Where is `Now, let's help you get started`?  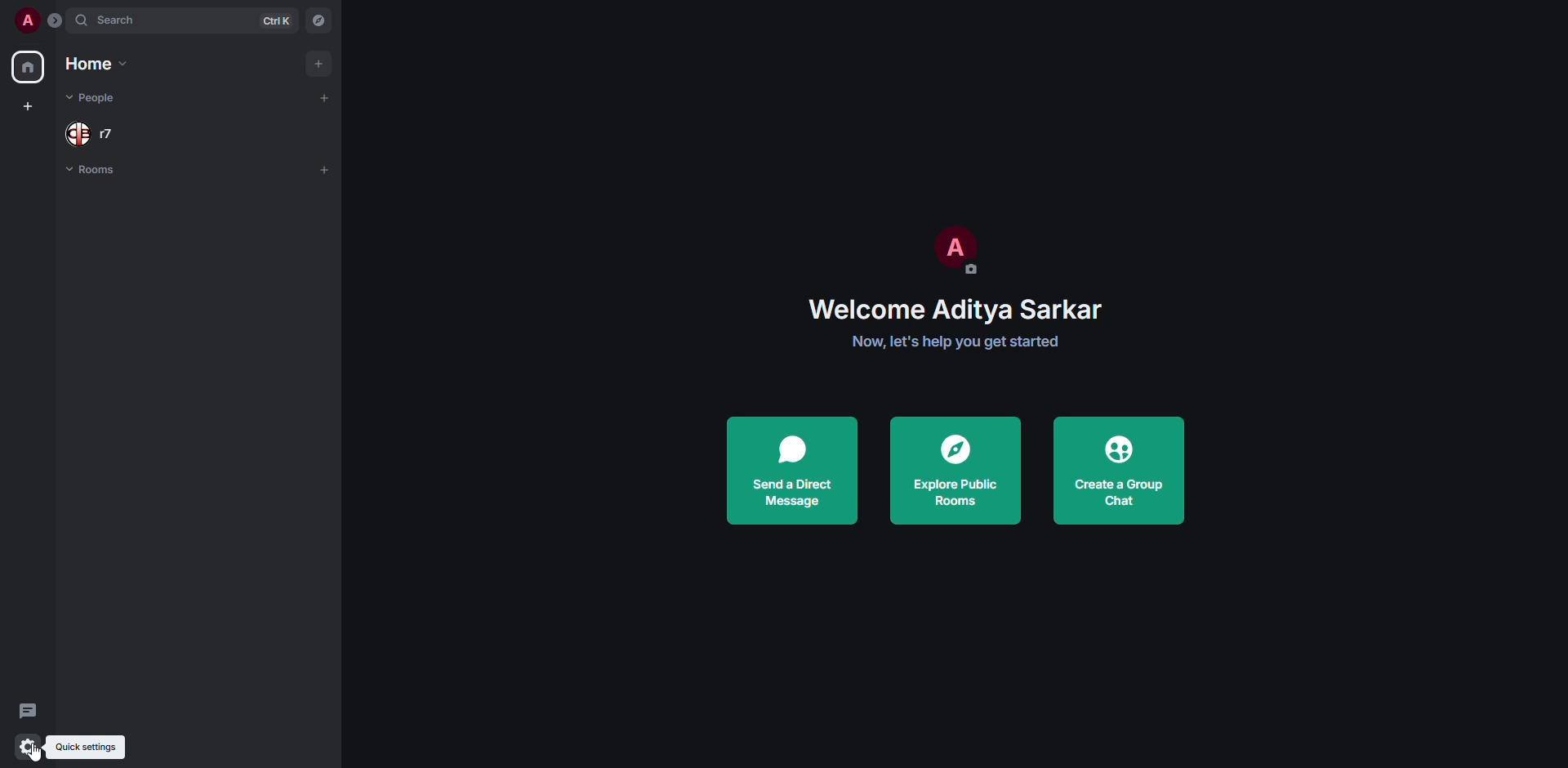
Now, let's help you get started is located at coordinates (961, 342).